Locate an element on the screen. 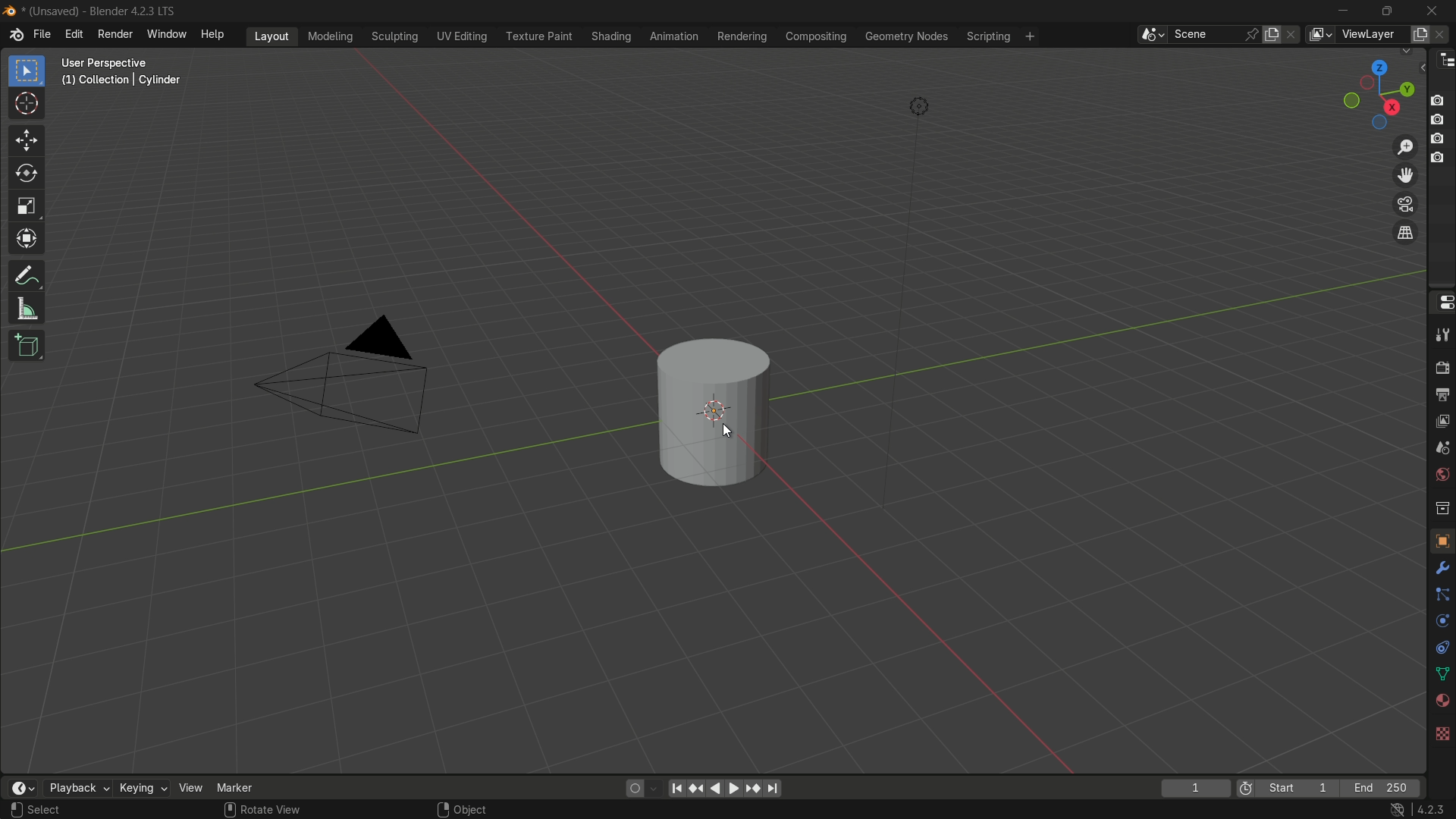 Image resolution: width=1456 pixels, height=819 pixels. rotate or preset viewpoint is located at coordinates (1377, 92).